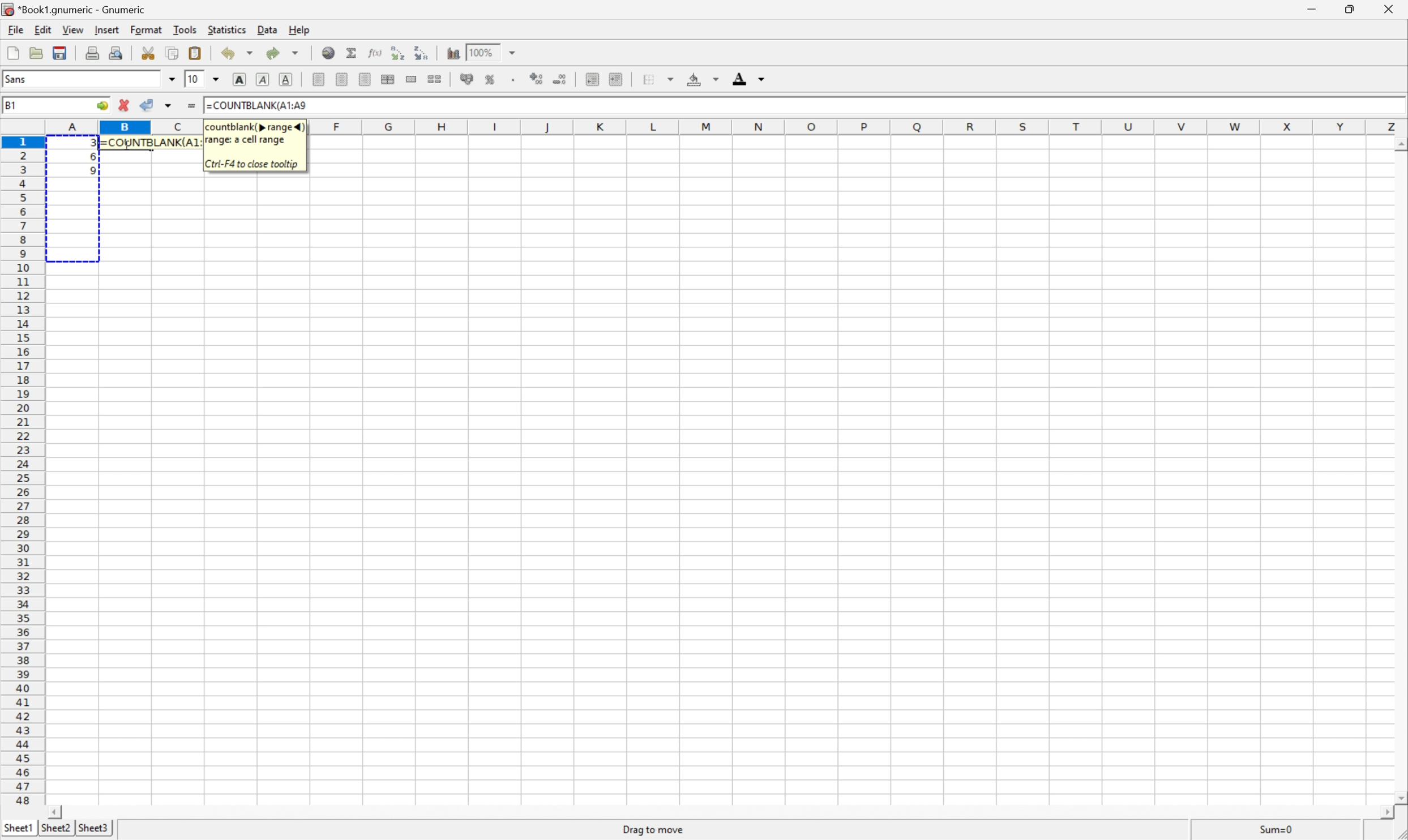 This screenshot has width=1408, height=840. I want to click on Increase indent, and align the contents to the left, so click(617, 79).